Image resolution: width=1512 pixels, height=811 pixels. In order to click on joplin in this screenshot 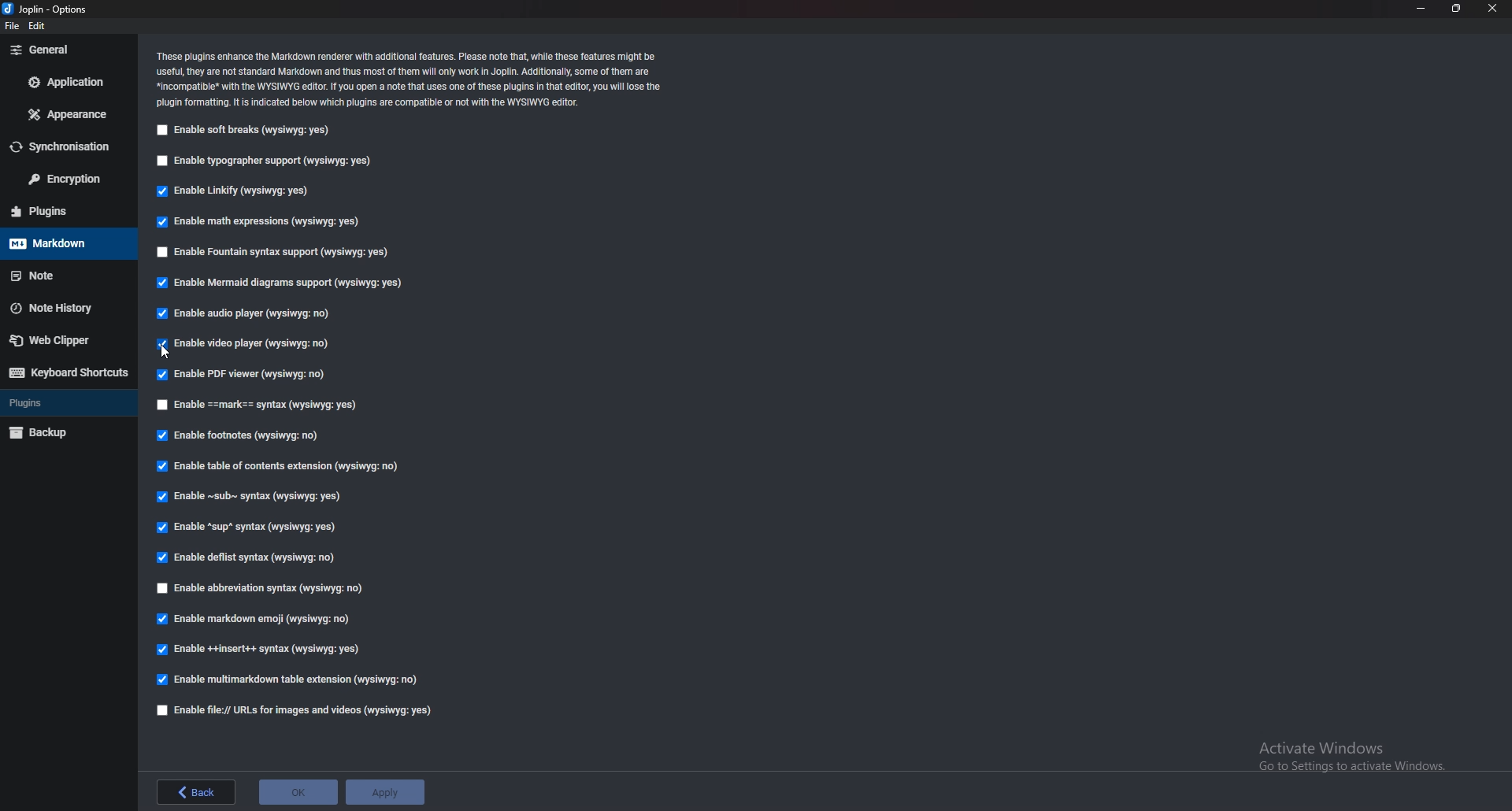, I will do `click(49, 9)`.